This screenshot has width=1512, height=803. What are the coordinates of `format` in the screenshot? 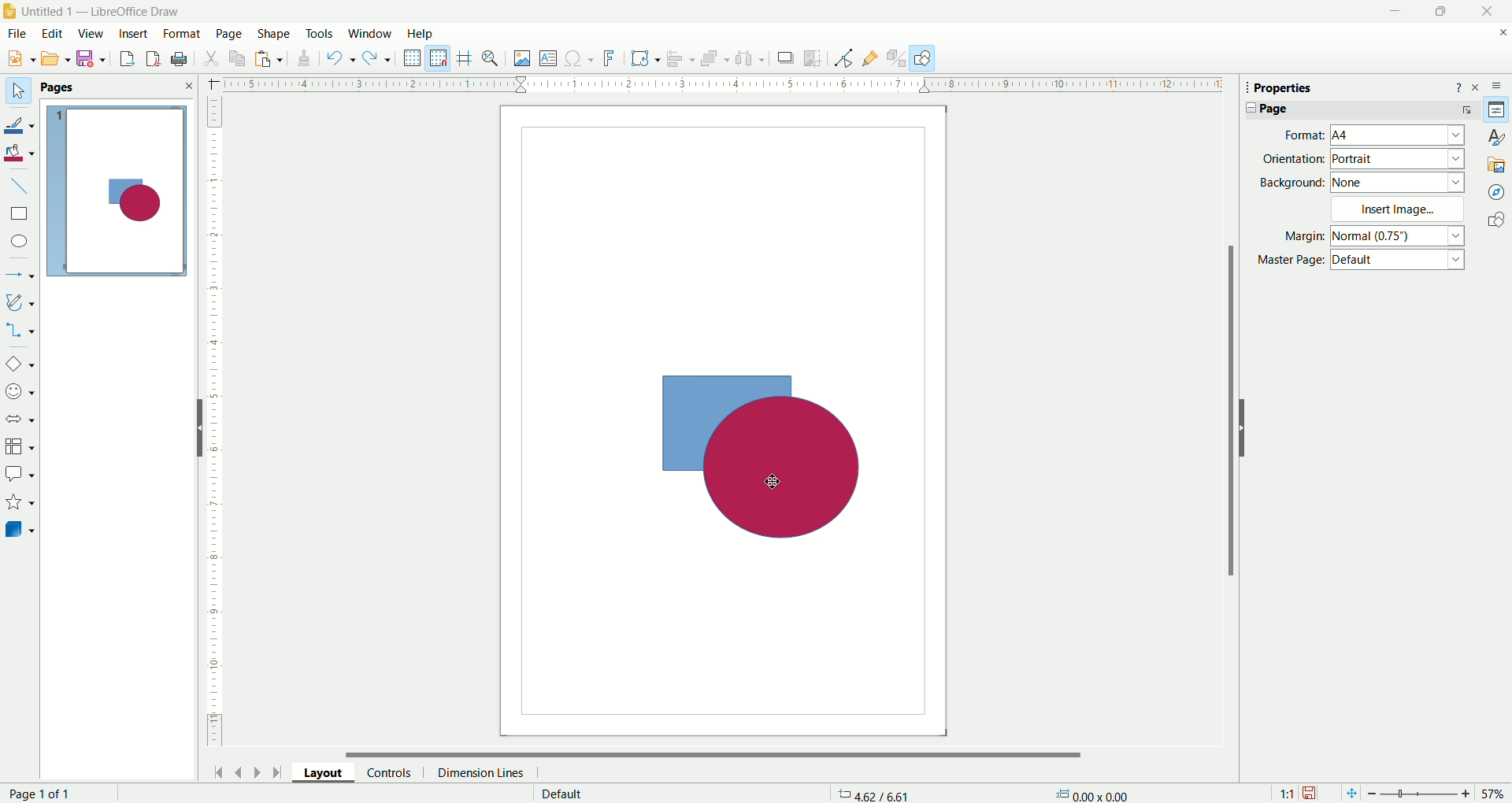 It's located at (1369, 135).